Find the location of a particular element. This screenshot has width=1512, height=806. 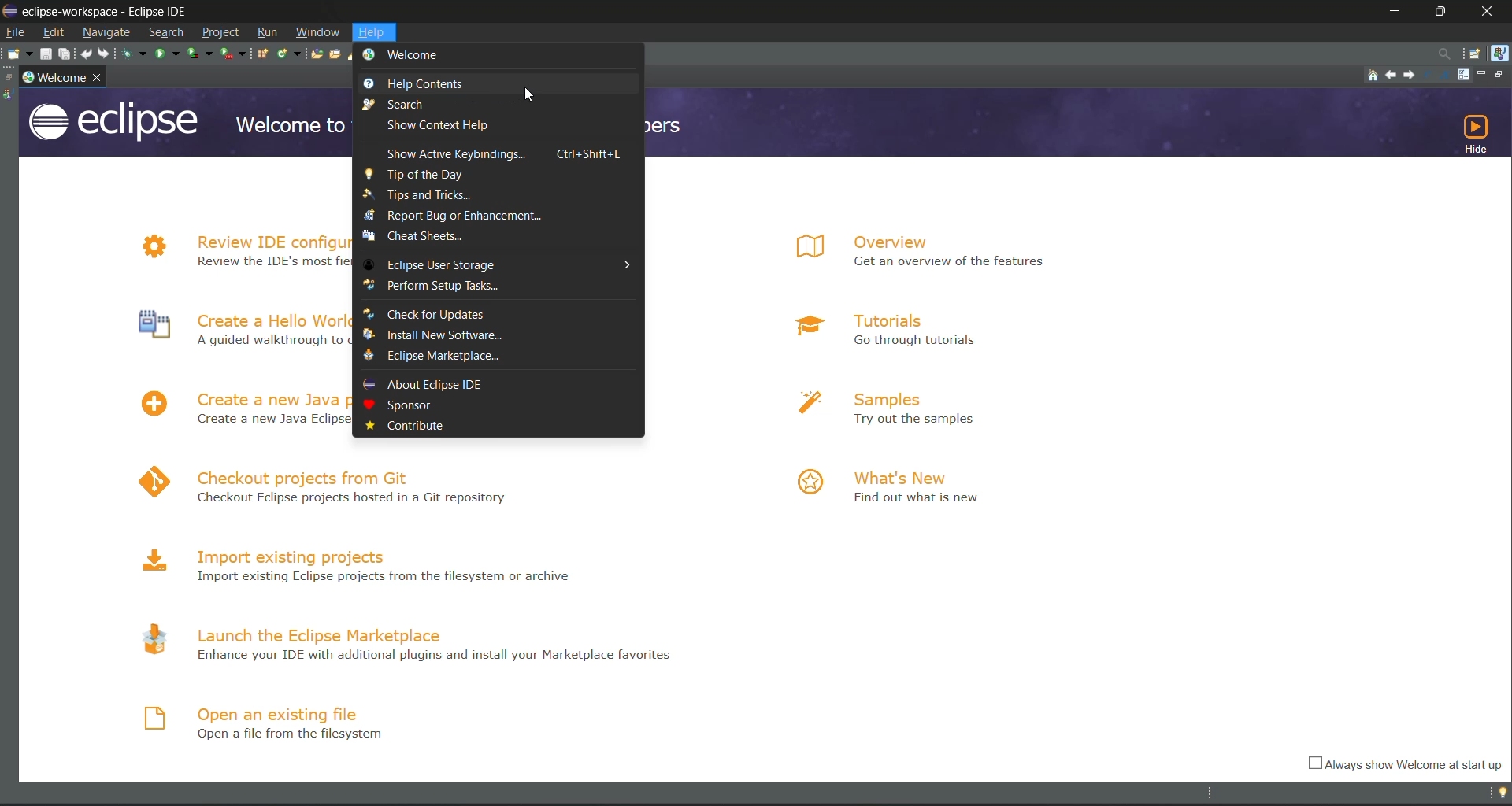

open type is located at coordinates (315, 53).